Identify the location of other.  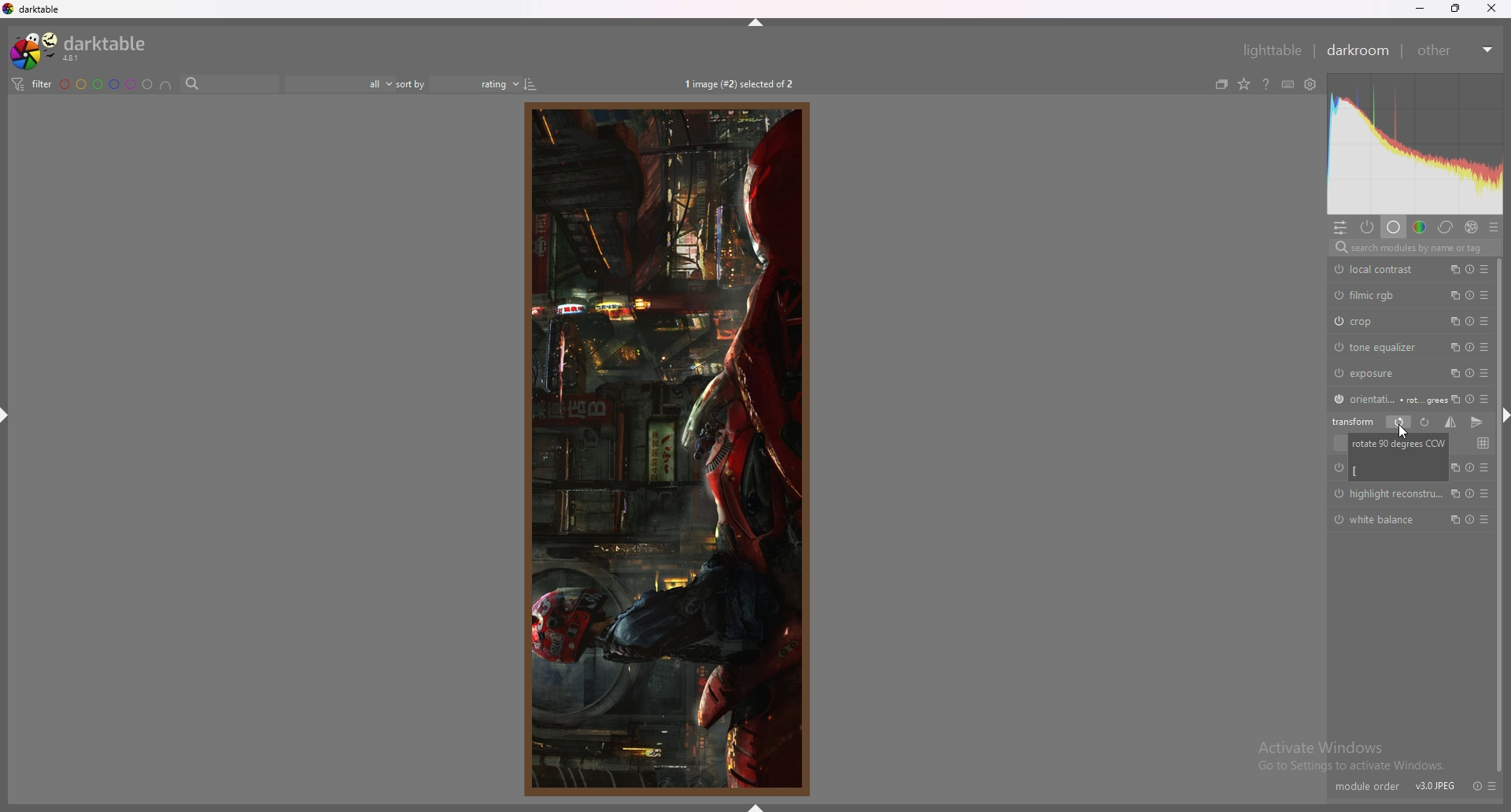
(1457, 50).